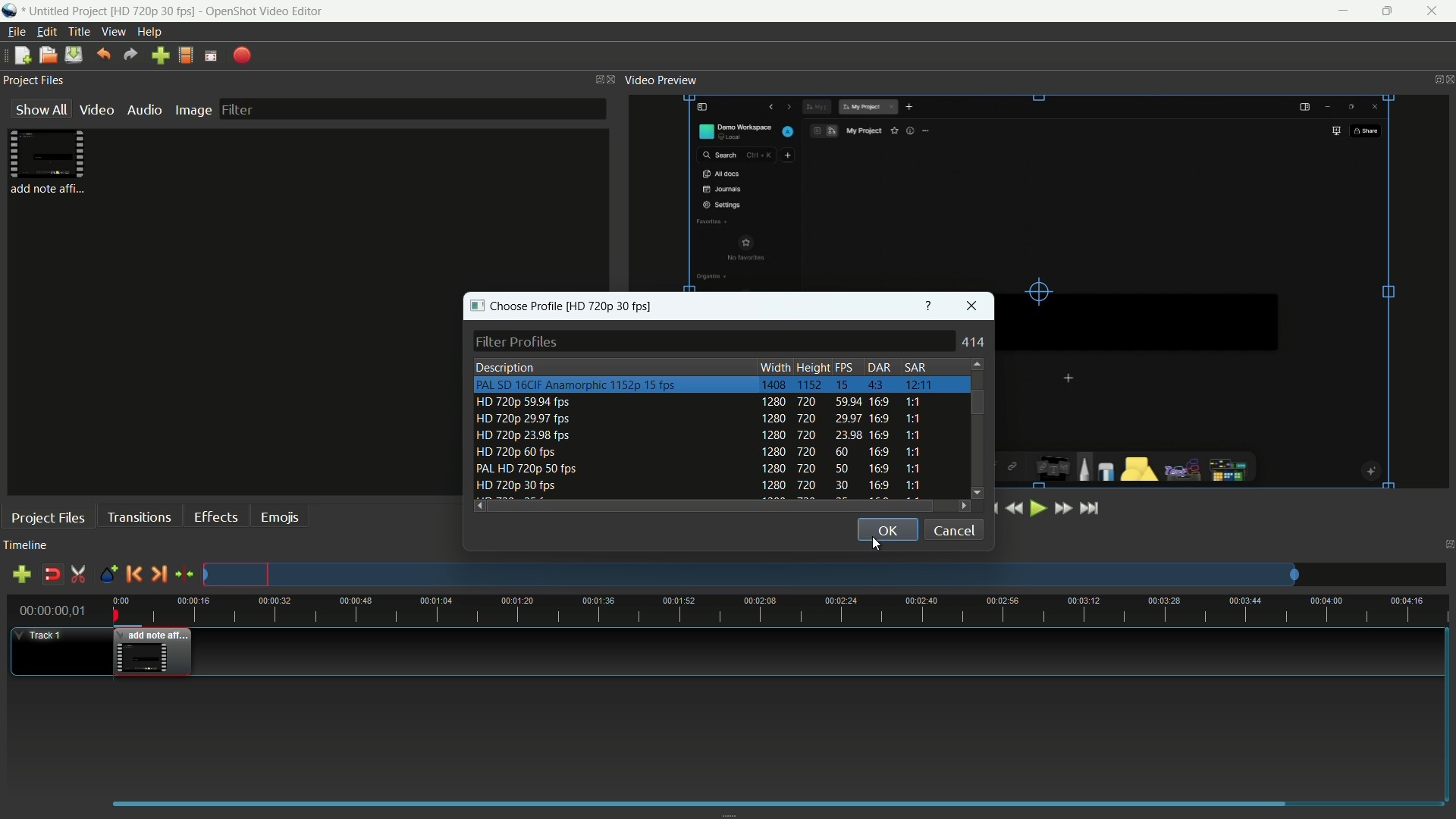 The width and height of the screenshot is (1456, 819). Describe the element at coordinates (133, 574) in the screenshot. I see `previous marker` at that location.